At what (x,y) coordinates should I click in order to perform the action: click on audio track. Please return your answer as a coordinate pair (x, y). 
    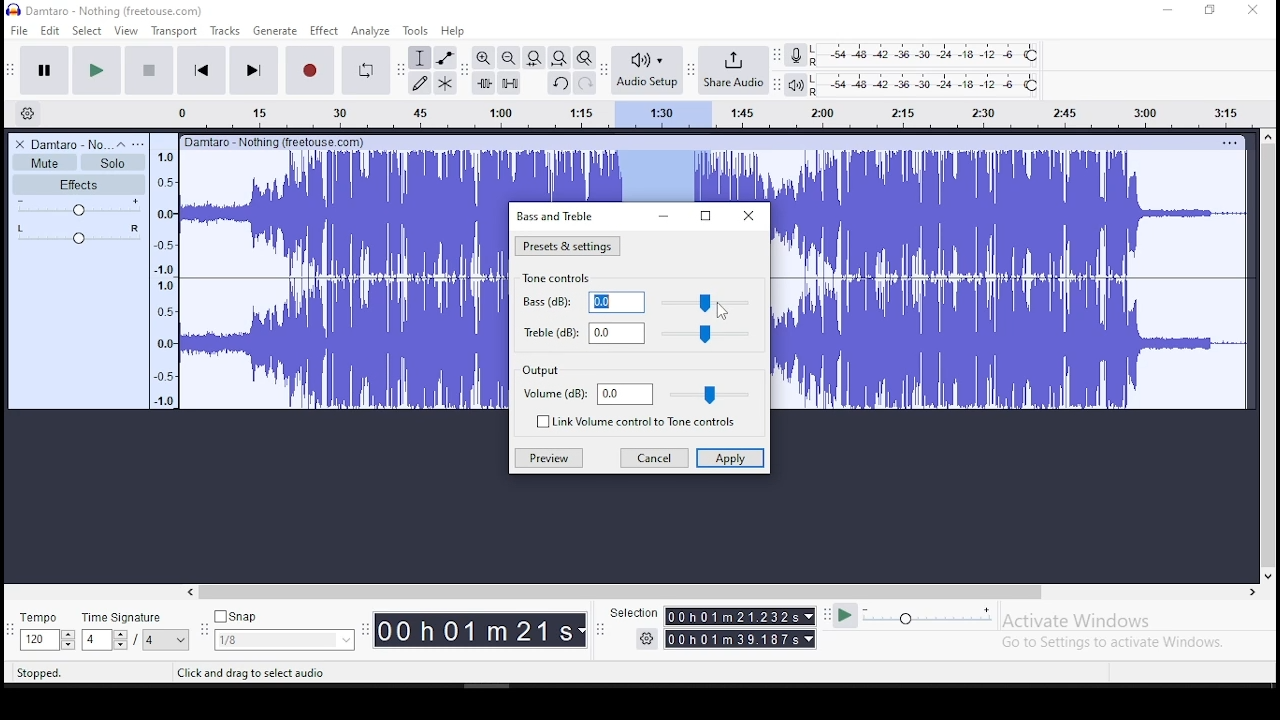
    Looking at the image, I should click on (1013, 344).